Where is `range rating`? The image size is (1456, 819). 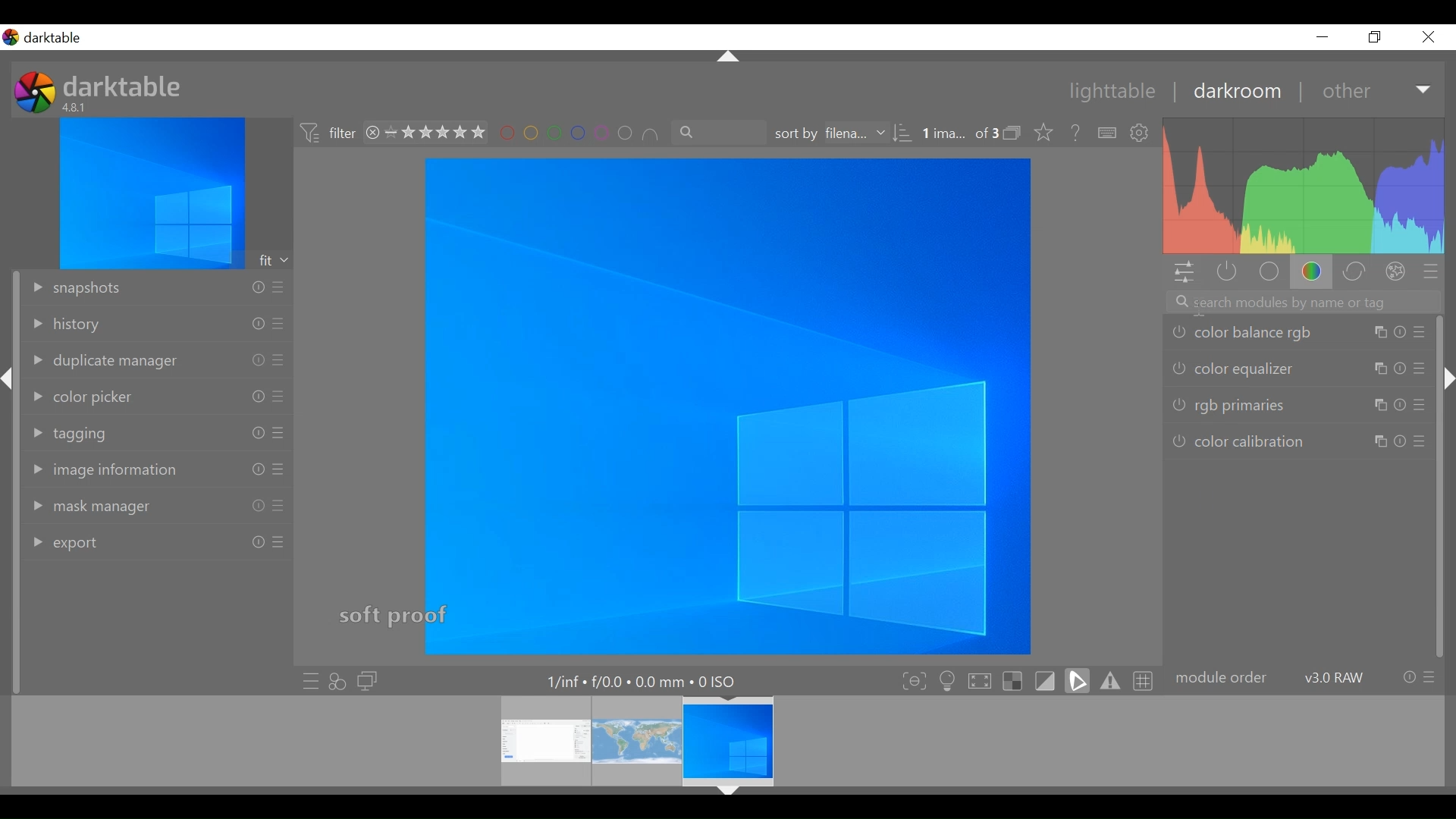
range rating is located at coordinates (436, 133).